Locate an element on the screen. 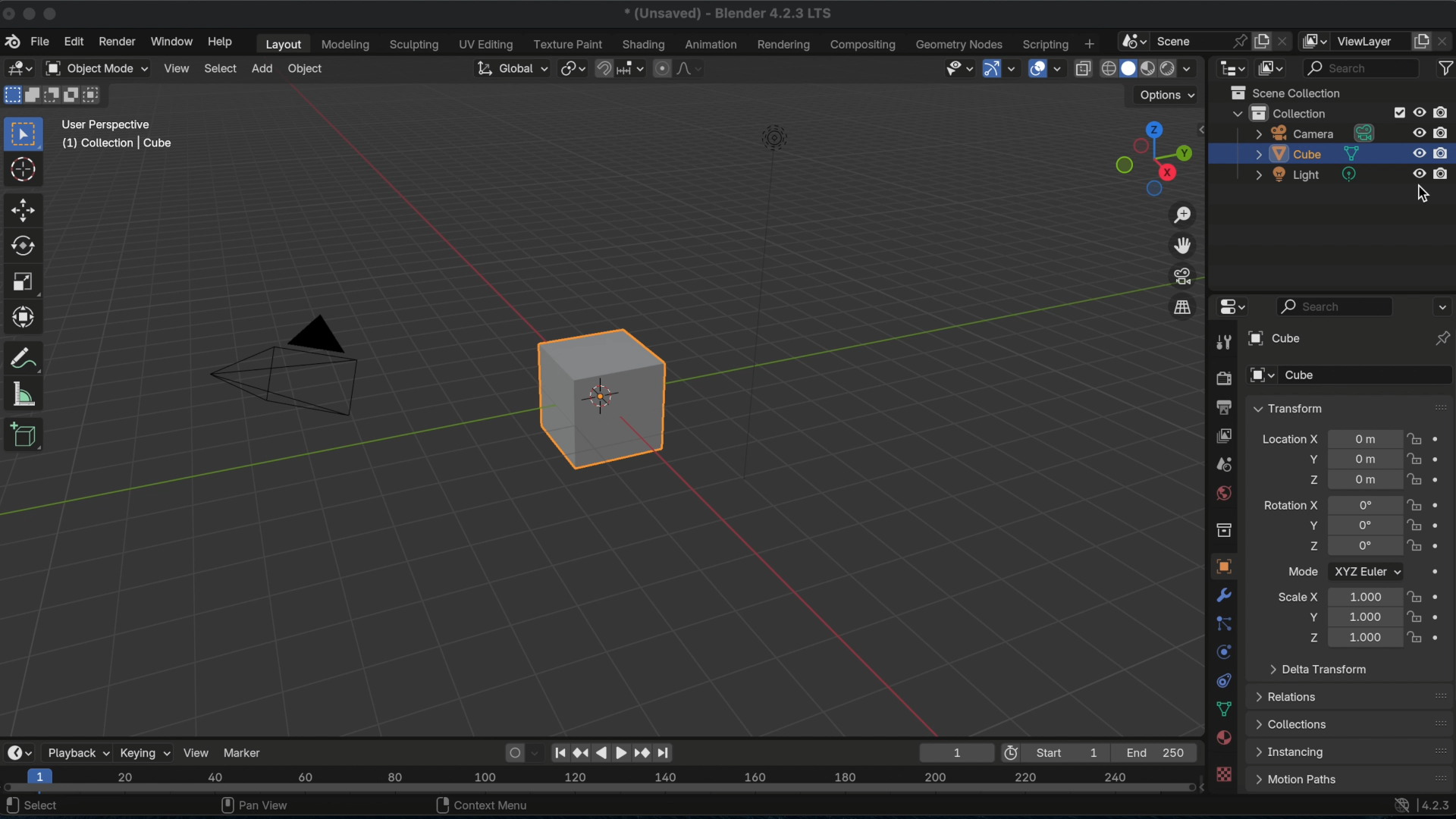 The height and width of the screenshot is (819, 1456). pan view is located at coordinates (253, 806).